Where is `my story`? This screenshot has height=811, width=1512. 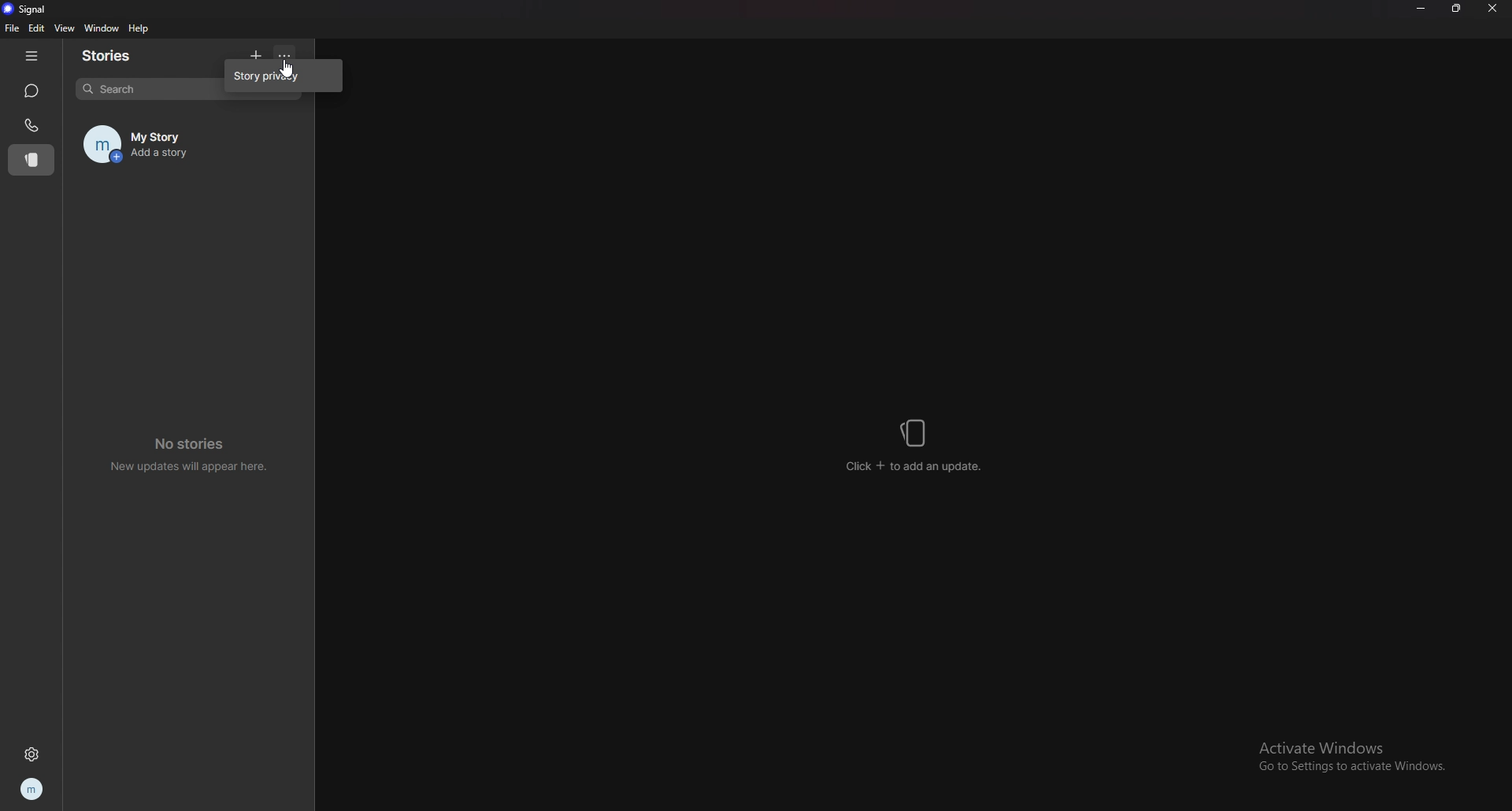 my story is located at coordinates (188, 145).